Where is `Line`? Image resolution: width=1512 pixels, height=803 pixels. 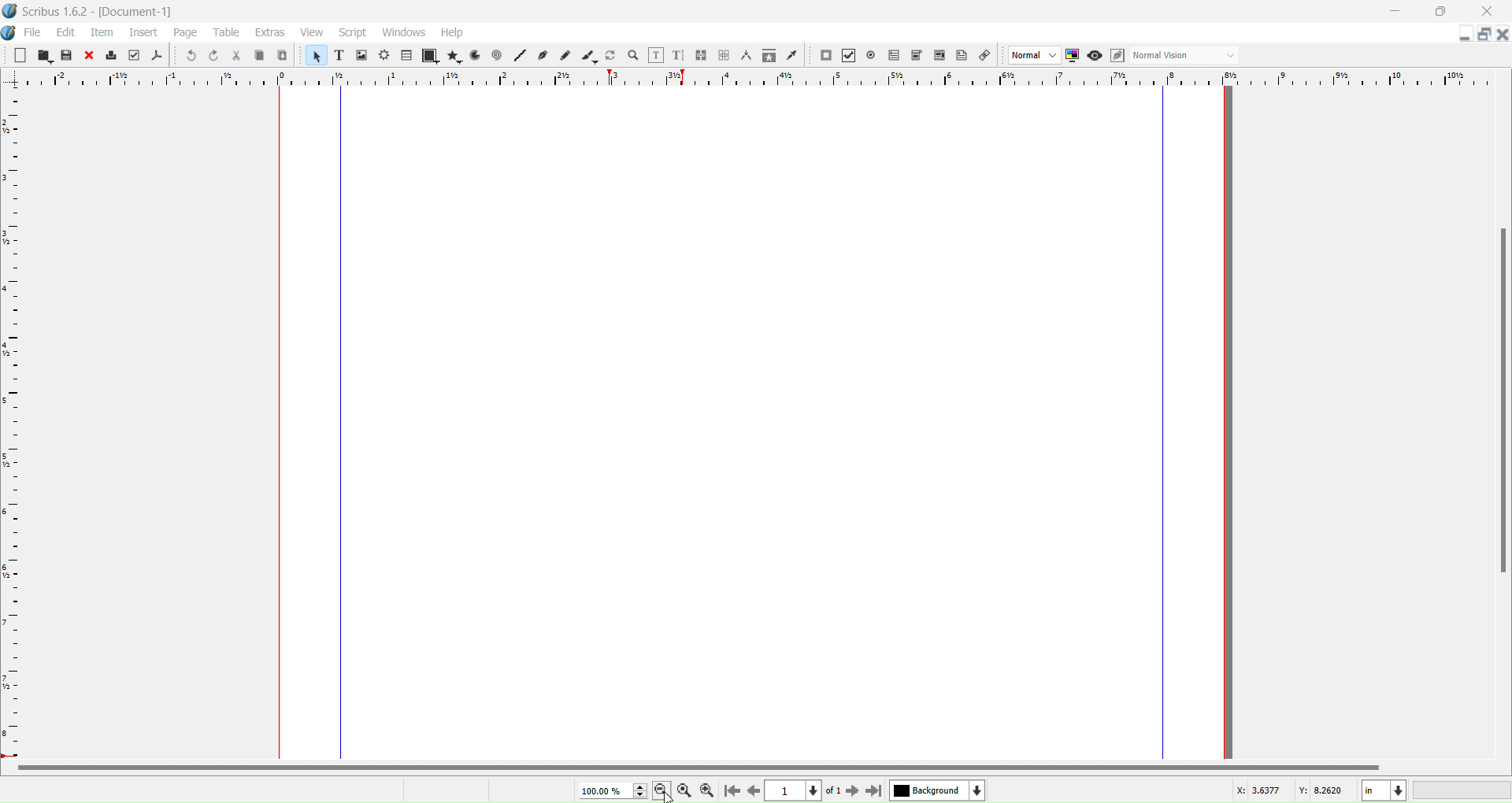
Line is located at coordinates (520, 55).